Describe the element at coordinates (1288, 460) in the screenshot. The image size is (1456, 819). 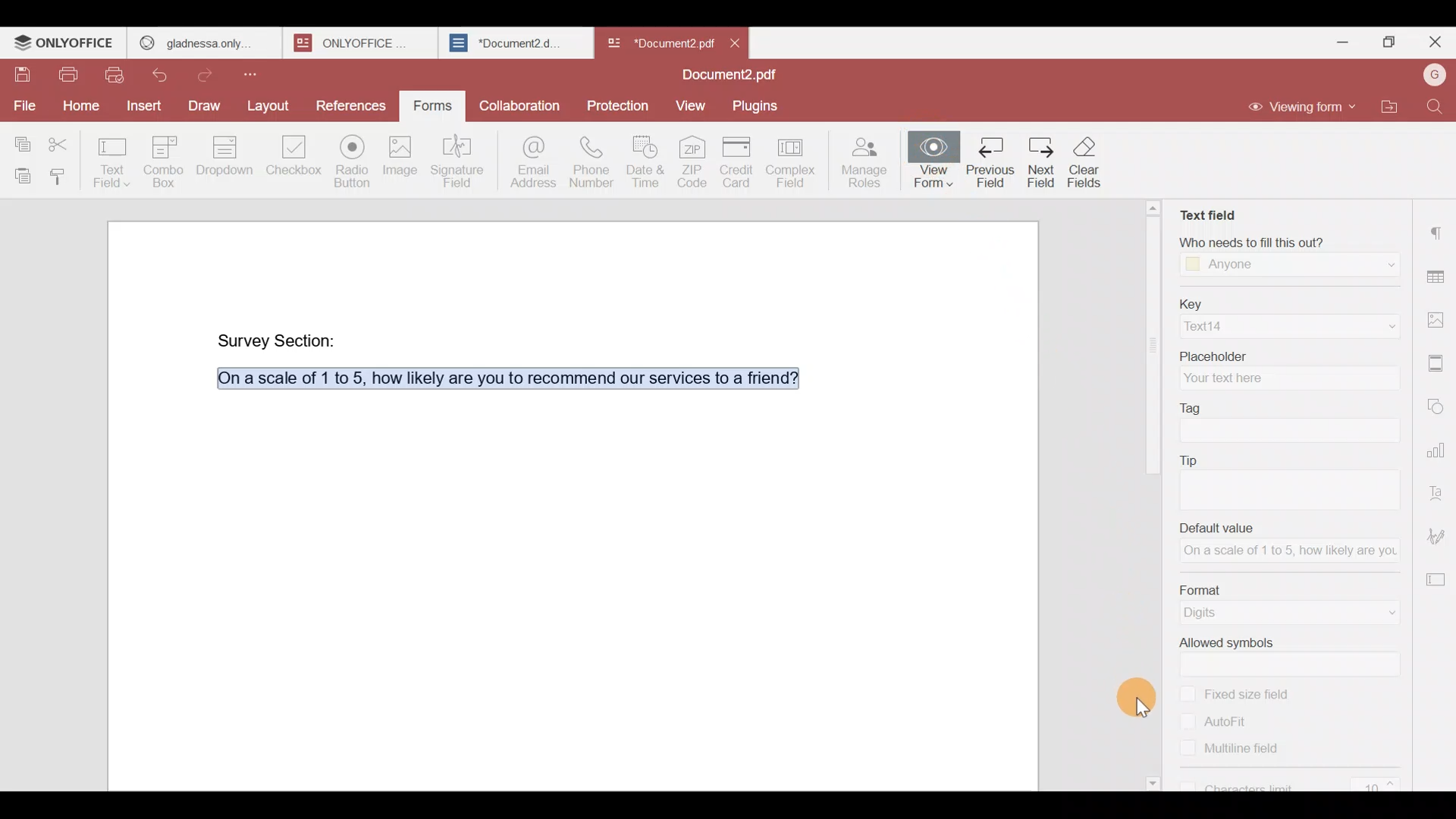
I see `Tip` at that location.